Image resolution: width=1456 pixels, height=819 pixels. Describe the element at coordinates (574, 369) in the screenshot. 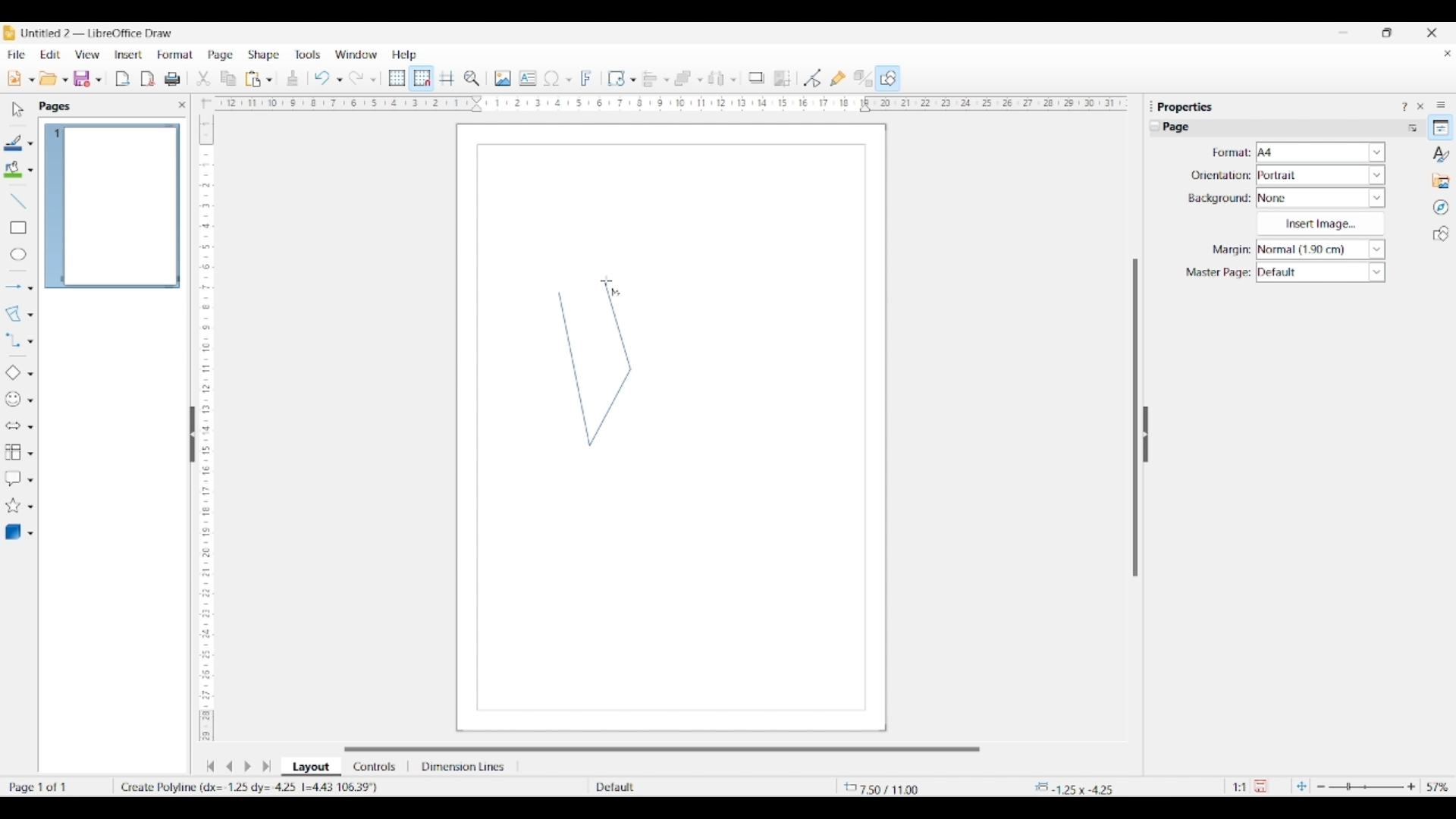

I see `Line 1` at that location.